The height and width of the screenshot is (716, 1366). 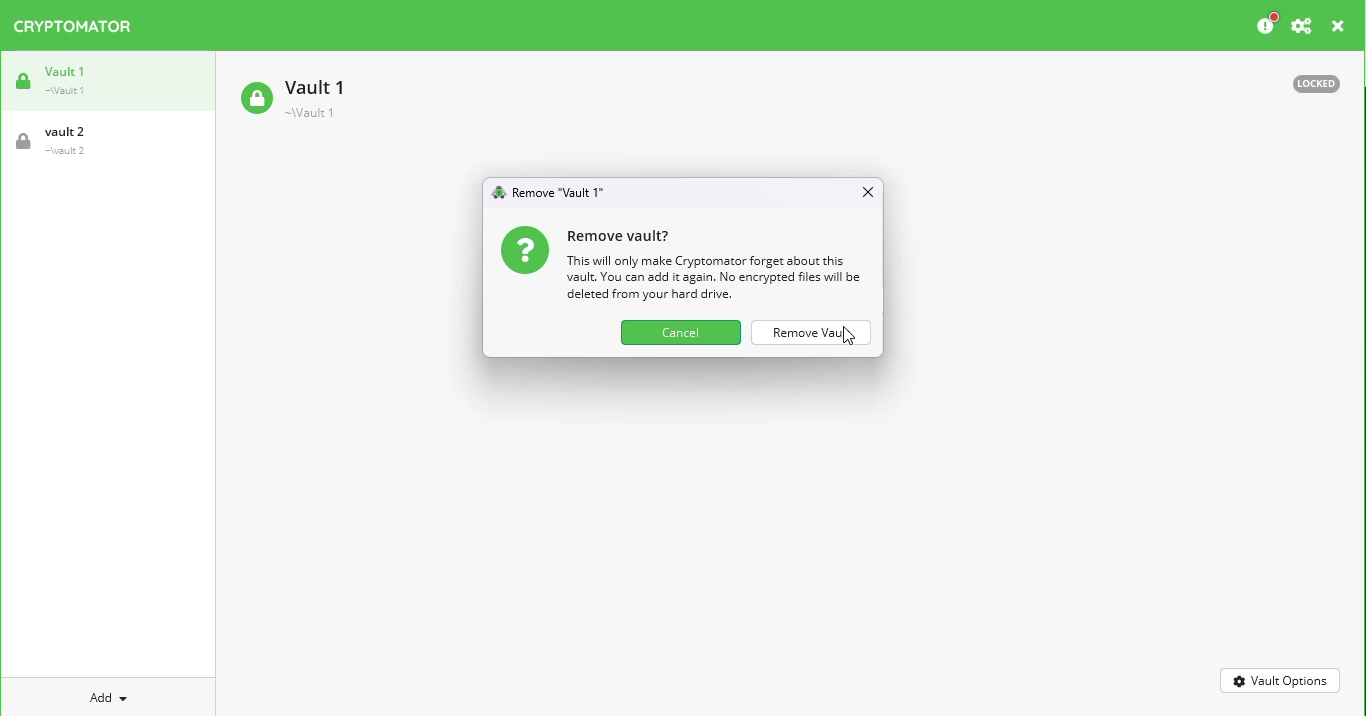 What do you see at coordinates (104, 698) in the screenshot?
I see `add vault` at bounding box center [104, 698].